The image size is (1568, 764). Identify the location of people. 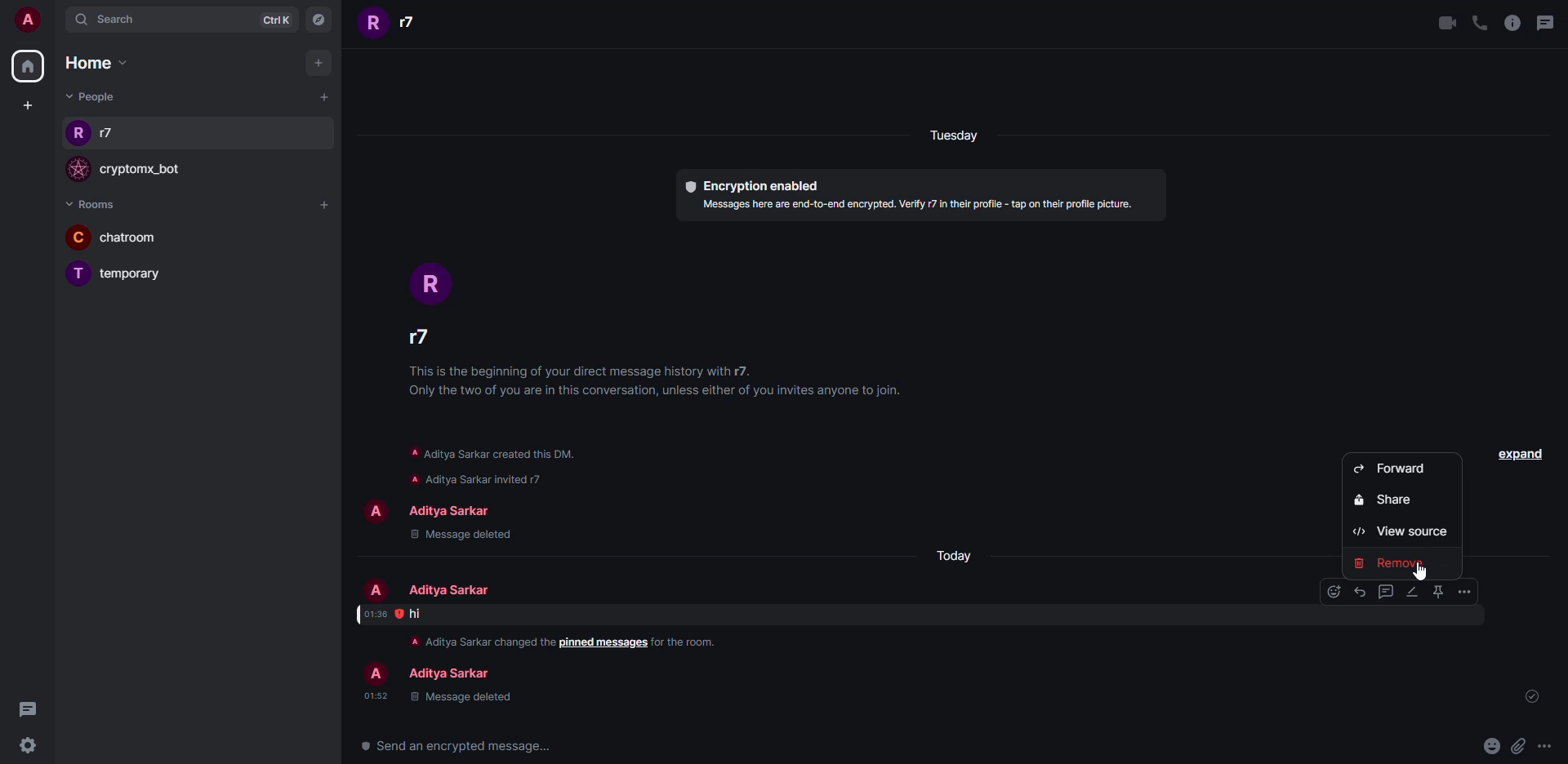
(413, 22).